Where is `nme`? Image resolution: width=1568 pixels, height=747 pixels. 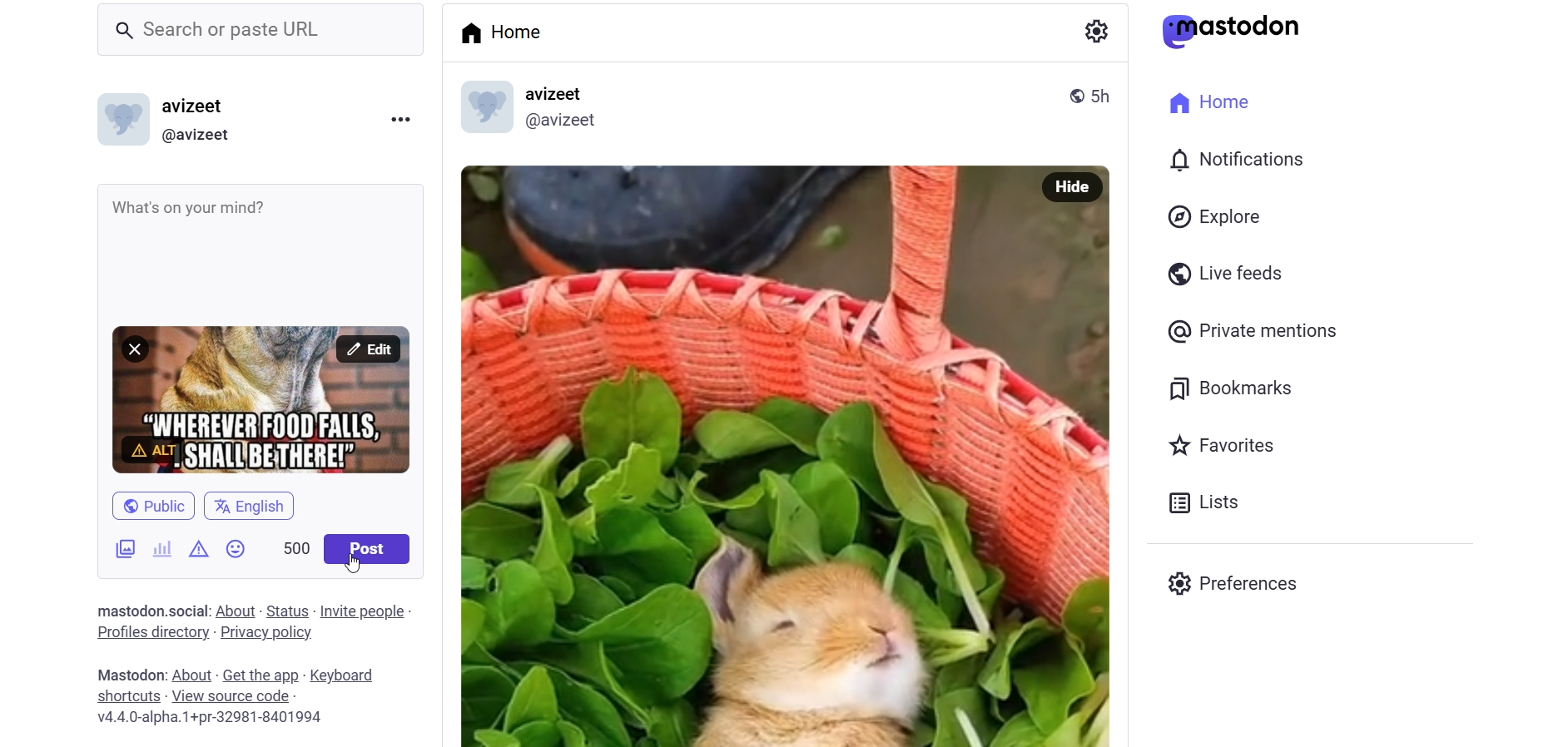
nme is located at coordinates (200, 106).